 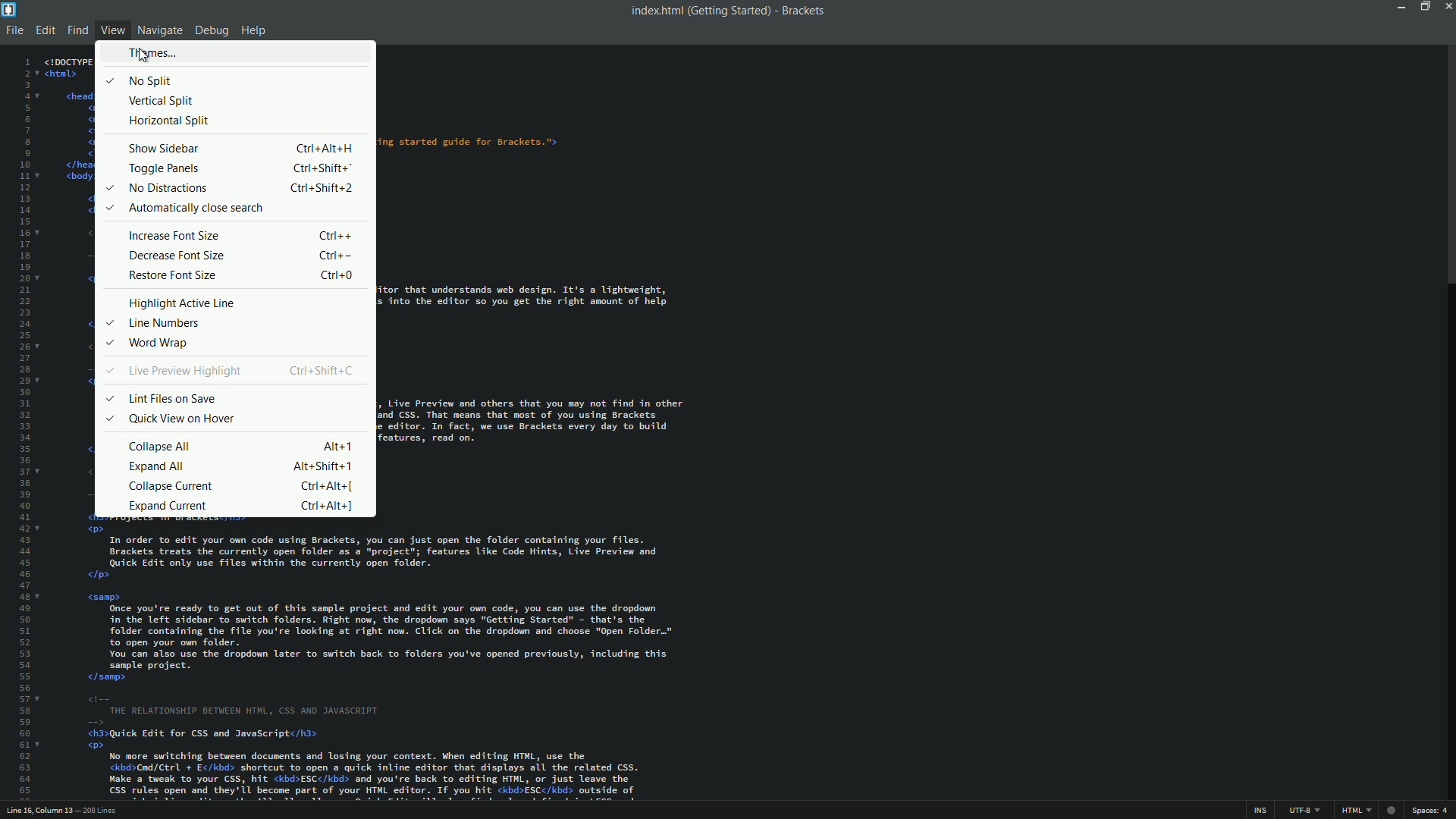 What do you see at coordinates (654, 11) in the screenshot?
I see `file name` at bounding box center [654, 11].